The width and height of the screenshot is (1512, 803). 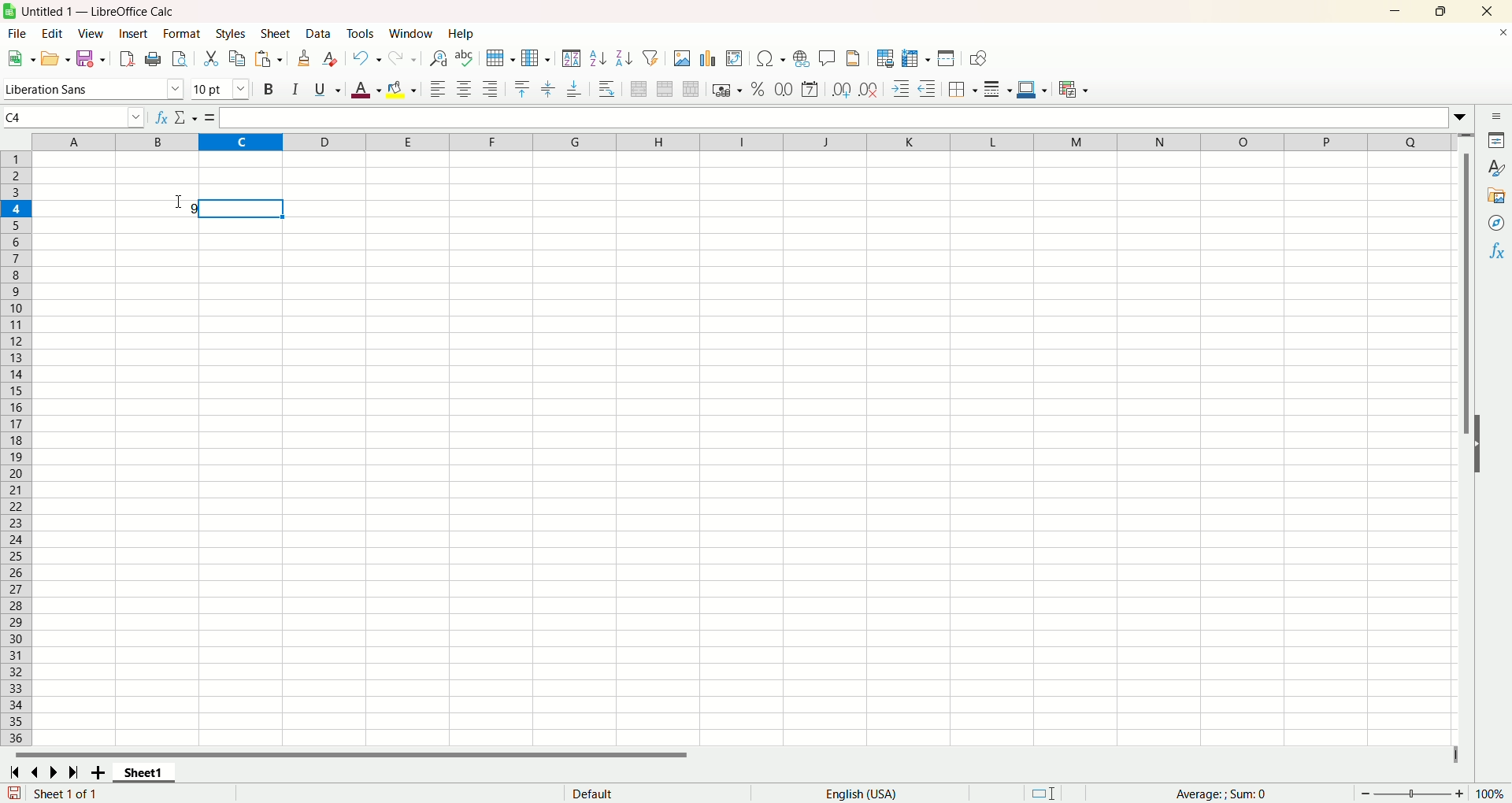 What do you see at coordinates (998, 91) in the screenshot?
I see `border style` at bounding box center [998, 91].